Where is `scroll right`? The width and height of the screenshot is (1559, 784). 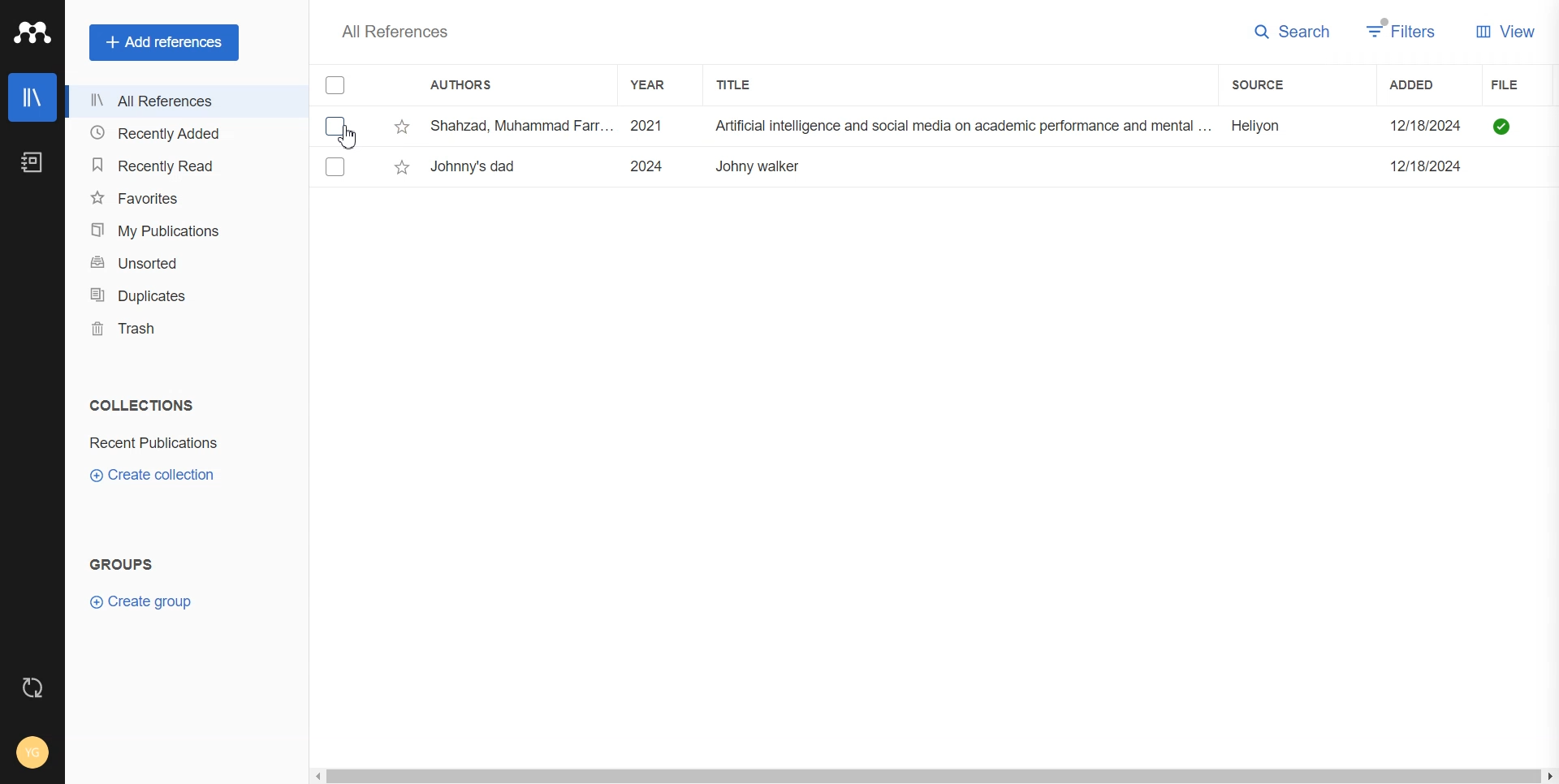 scroll right is located at coordinates (1549, 778).